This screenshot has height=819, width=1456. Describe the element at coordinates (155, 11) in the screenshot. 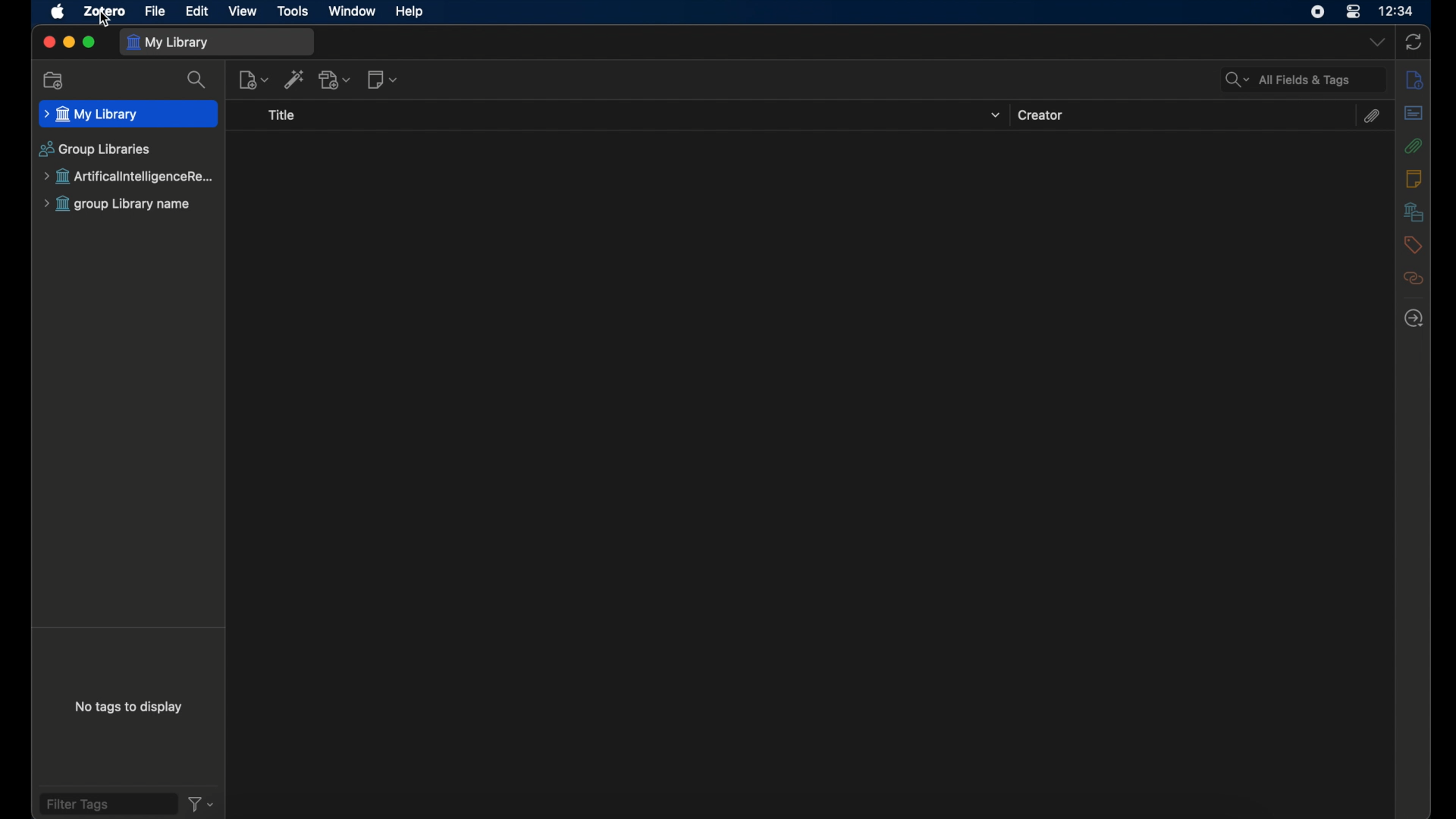

I see `file` at that location.